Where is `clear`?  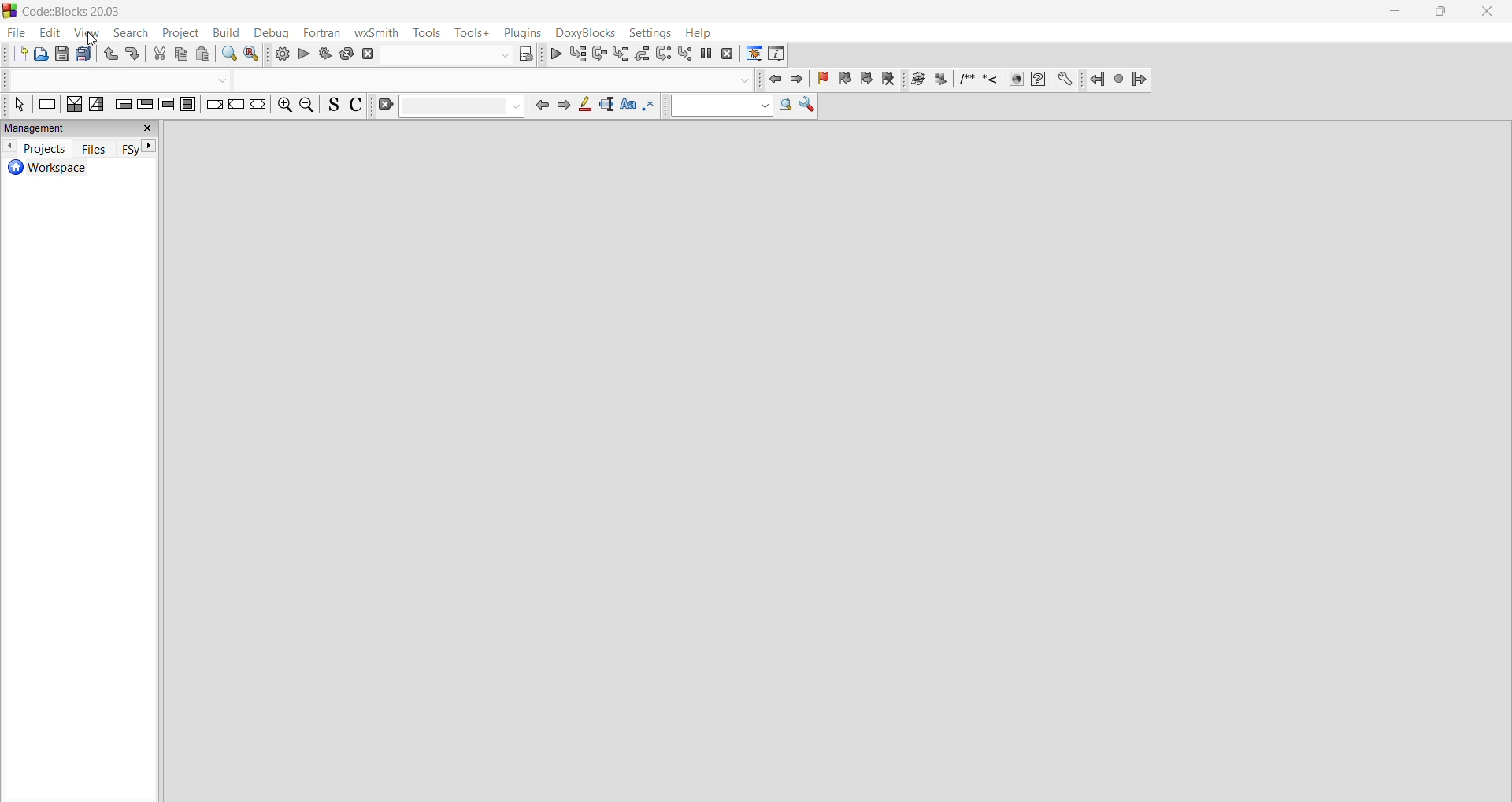 clear is located at coordinates (450, 106).